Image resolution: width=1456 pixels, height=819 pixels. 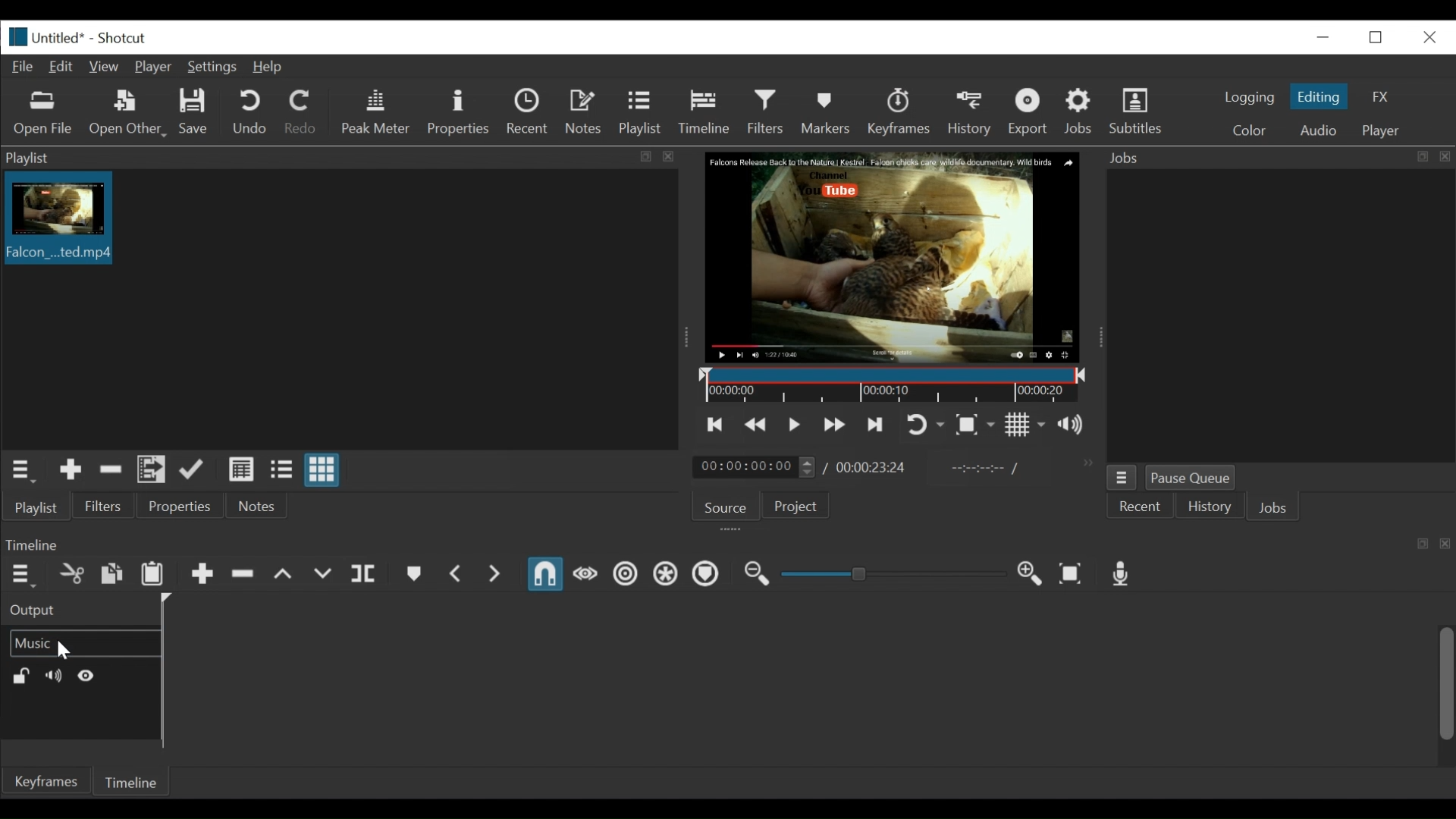 I want to click on Timeline, so click(x=127, y=783).